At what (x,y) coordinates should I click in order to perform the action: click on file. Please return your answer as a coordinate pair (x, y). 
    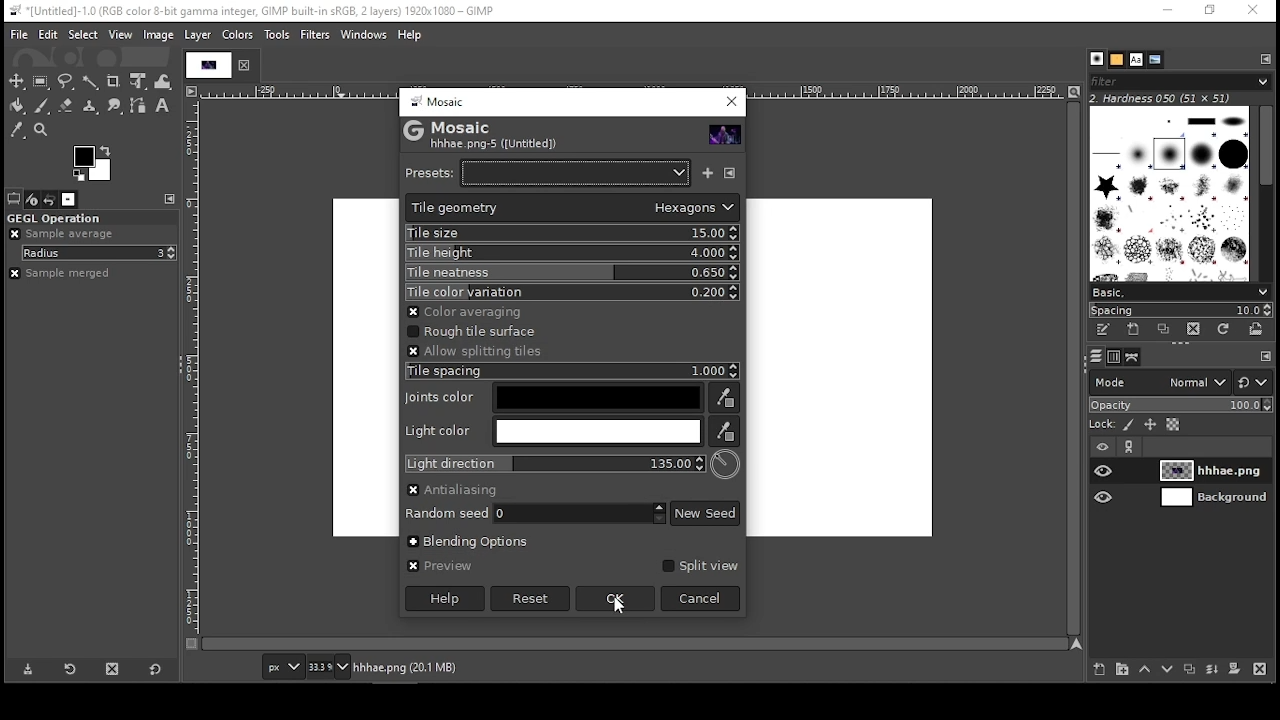
    Looking at the image, I should click on (19, 33).